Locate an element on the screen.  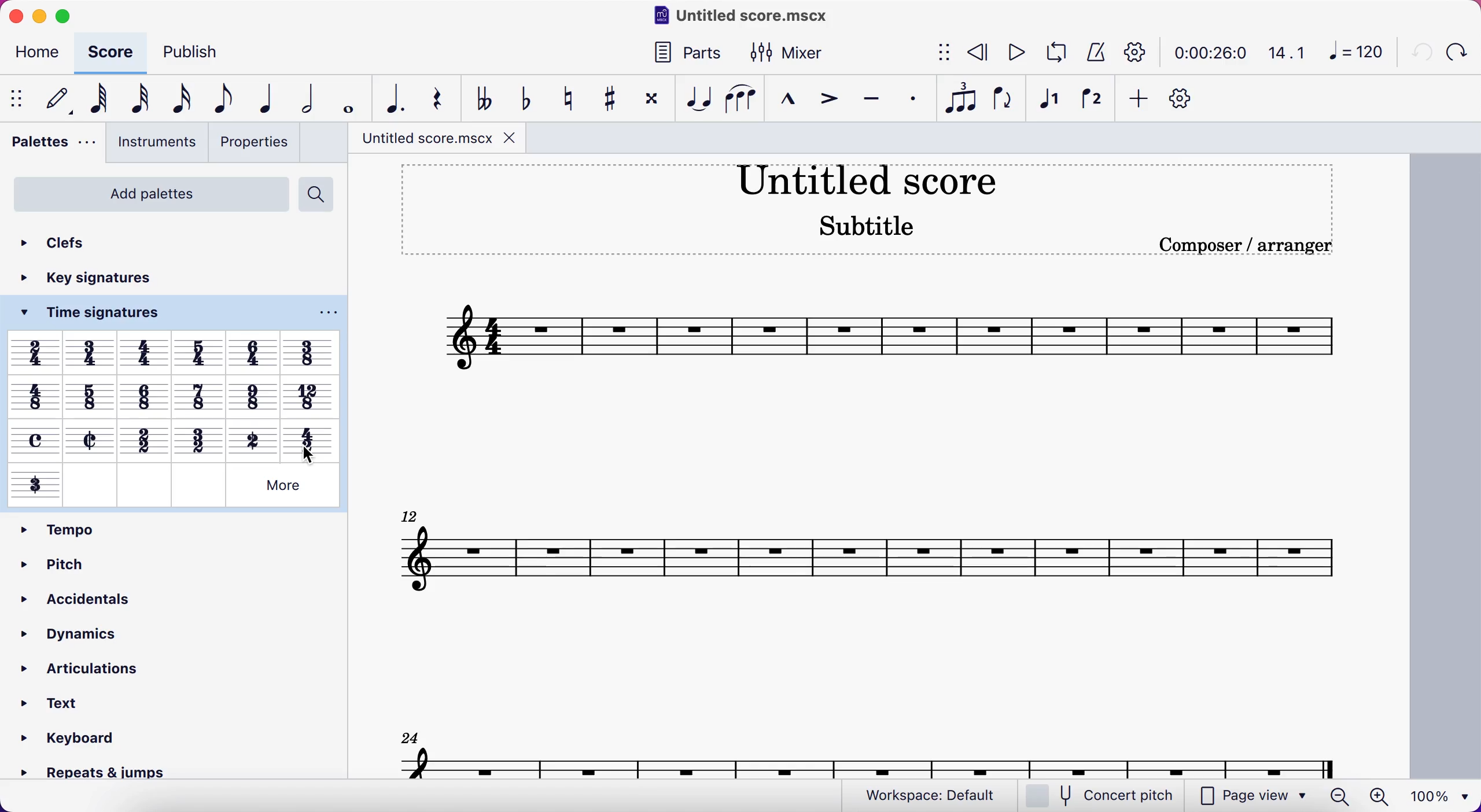
close is located at coordinates (20, 17).